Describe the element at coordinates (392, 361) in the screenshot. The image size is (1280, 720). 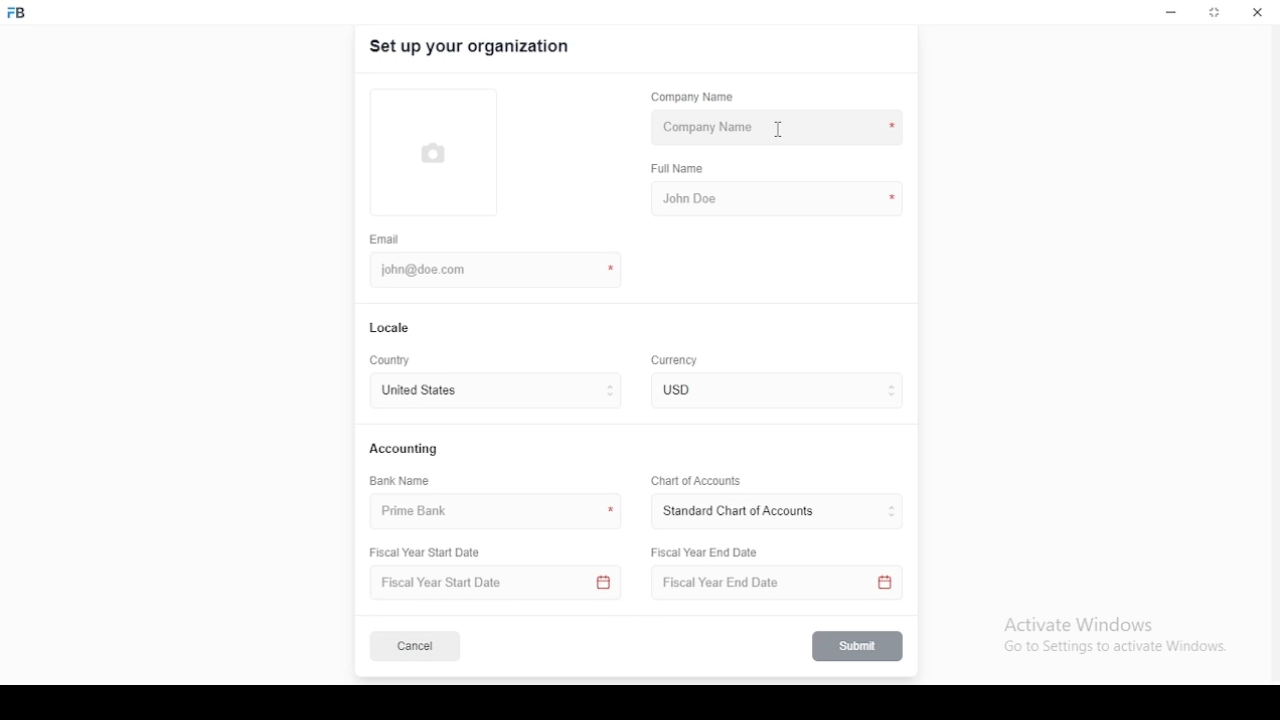
I see `country` at that location.